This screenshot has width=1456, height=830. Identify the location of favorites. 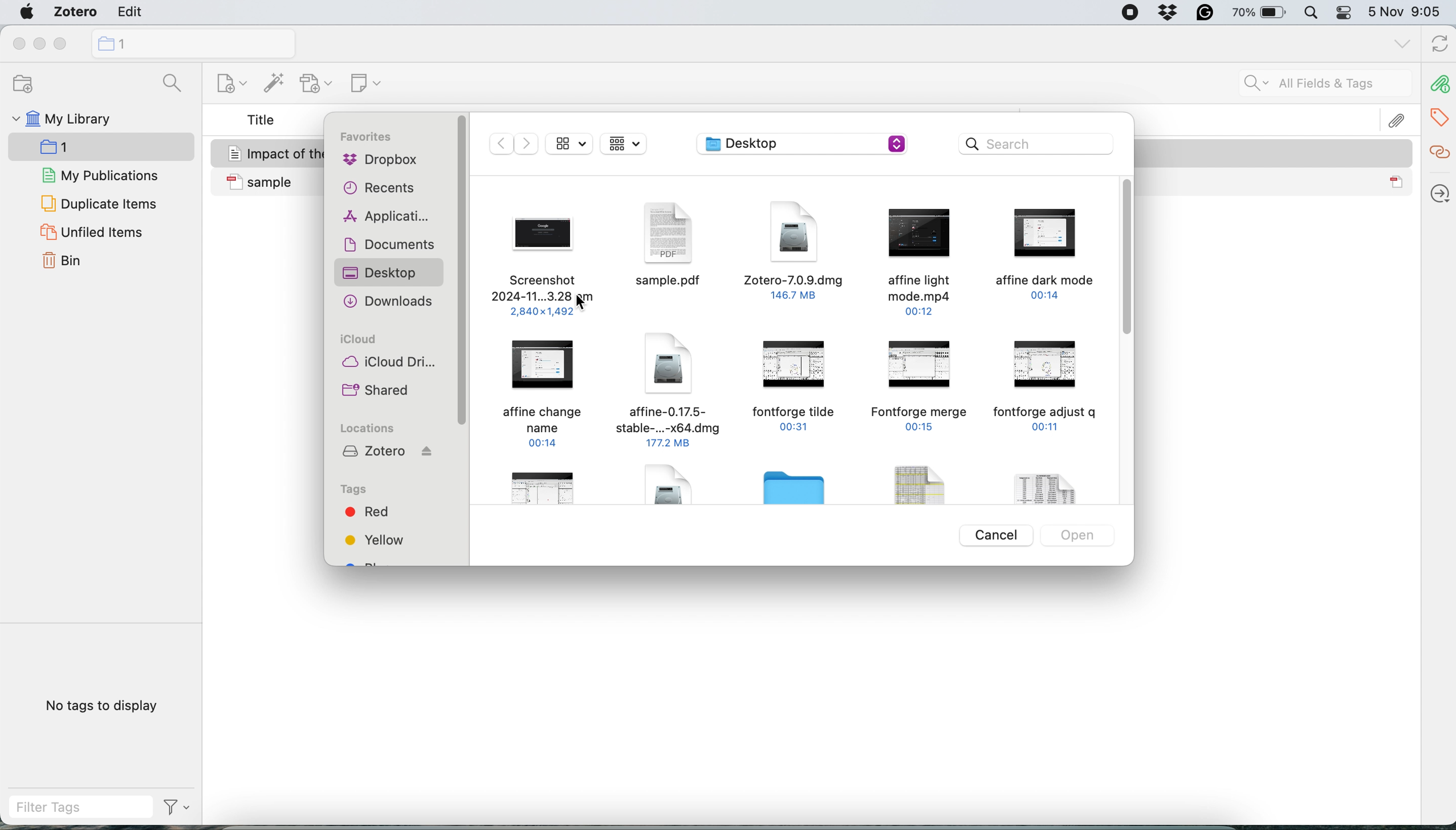
(369, 139).